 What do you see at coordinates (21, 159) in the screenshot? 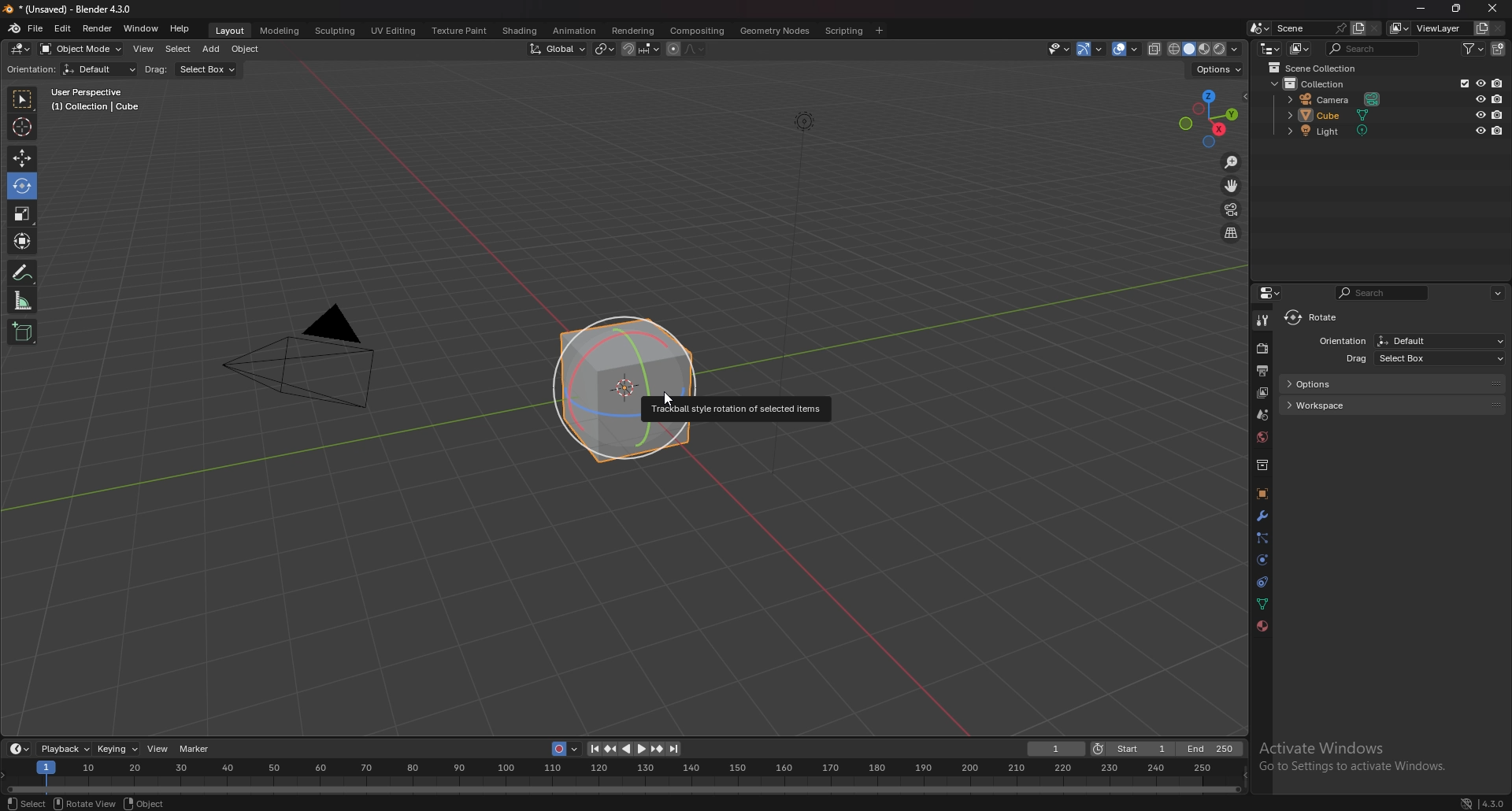
I see `move` at bounding box center [21, 159].